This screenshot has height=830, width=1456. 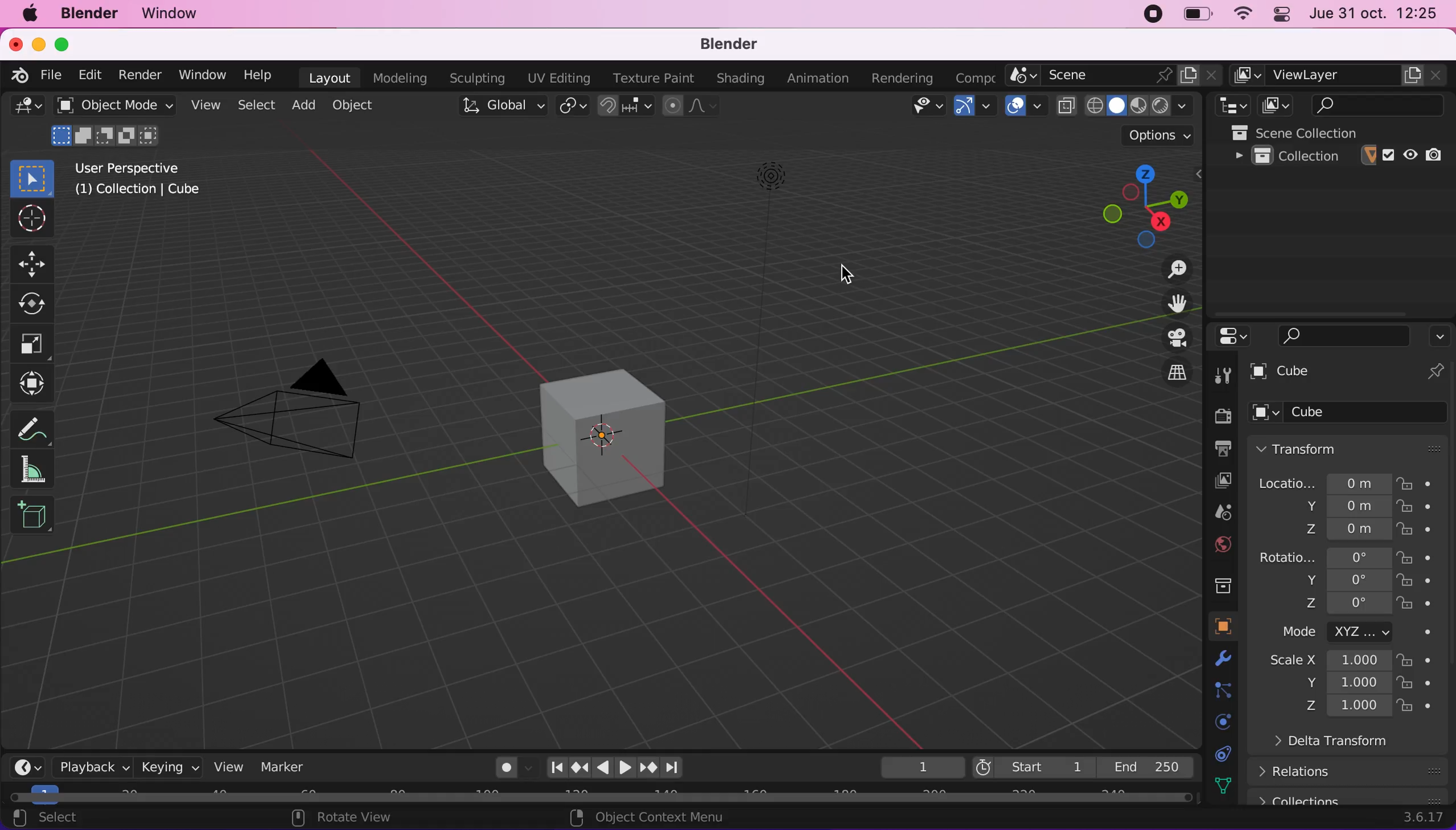 What do you see at coordinates (93, 75) in the screenshot?
I see `edit` at bounding box center [93, 75].